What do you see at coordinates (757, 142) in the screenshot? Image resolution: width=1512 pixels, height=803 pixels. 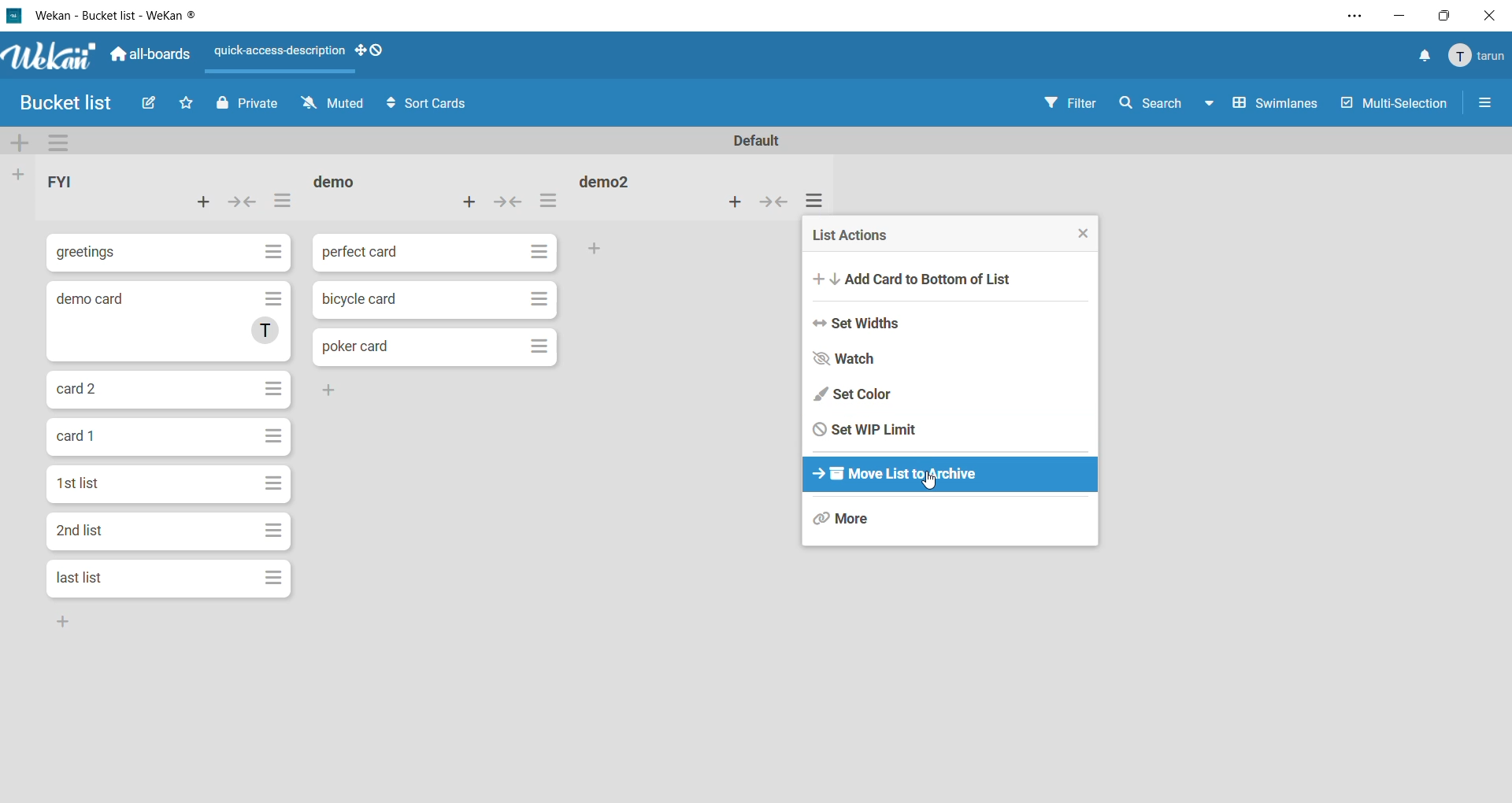 I see `swimlane name` at bounding box center [757, 142].